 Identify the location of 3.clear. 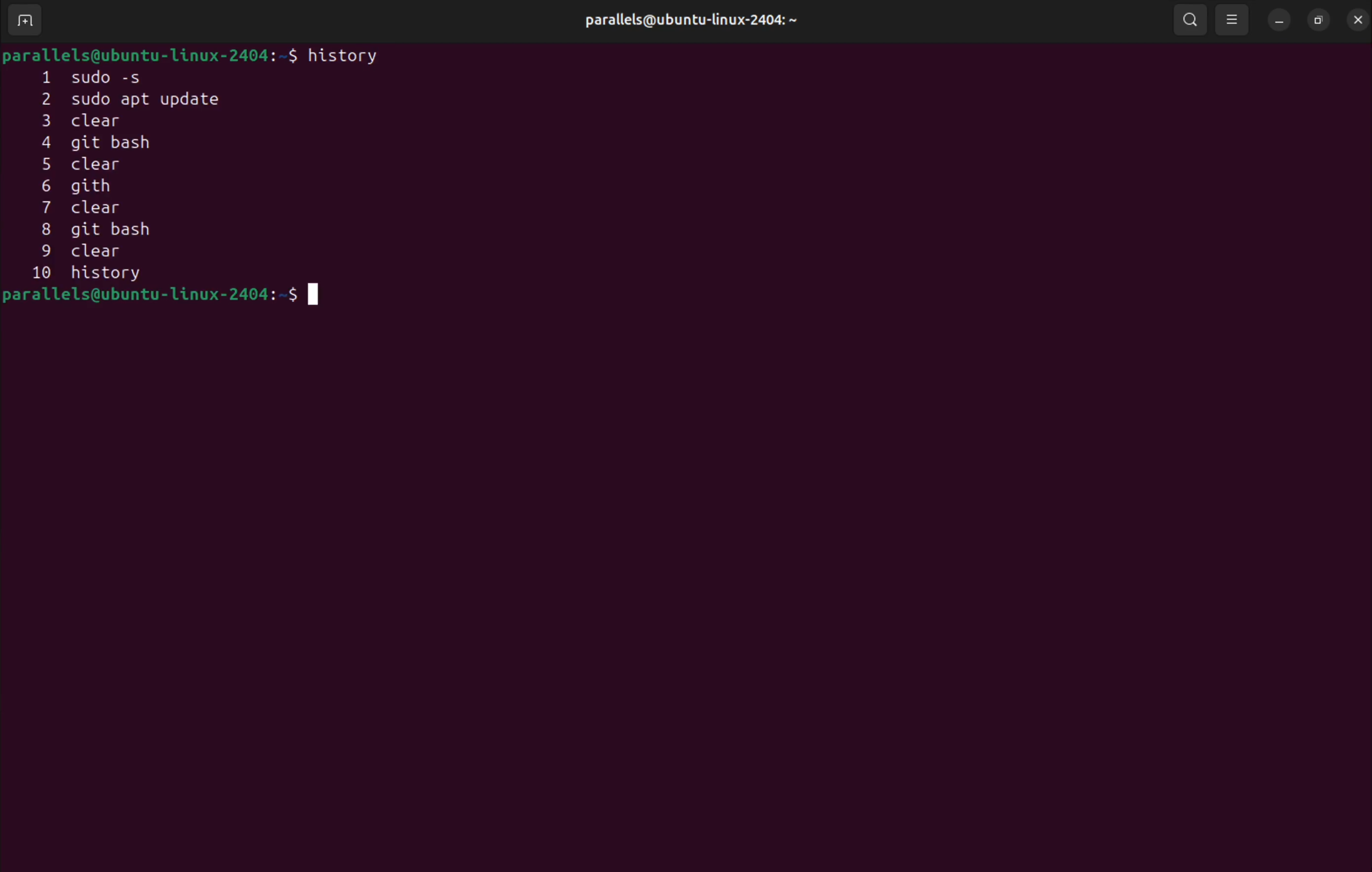
(104, 122).